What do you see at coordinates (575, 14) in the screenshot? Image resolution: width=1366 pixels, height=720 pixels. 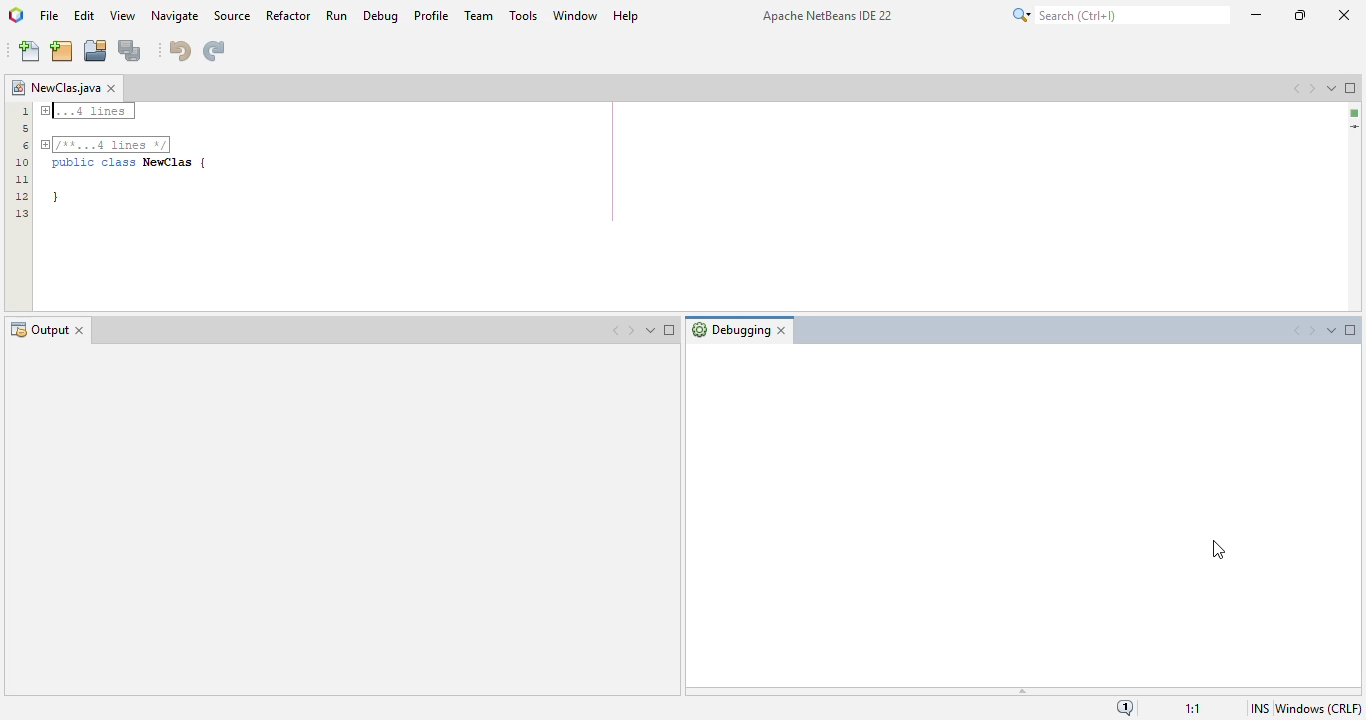 I see `window` at bounding box center [575, 14].